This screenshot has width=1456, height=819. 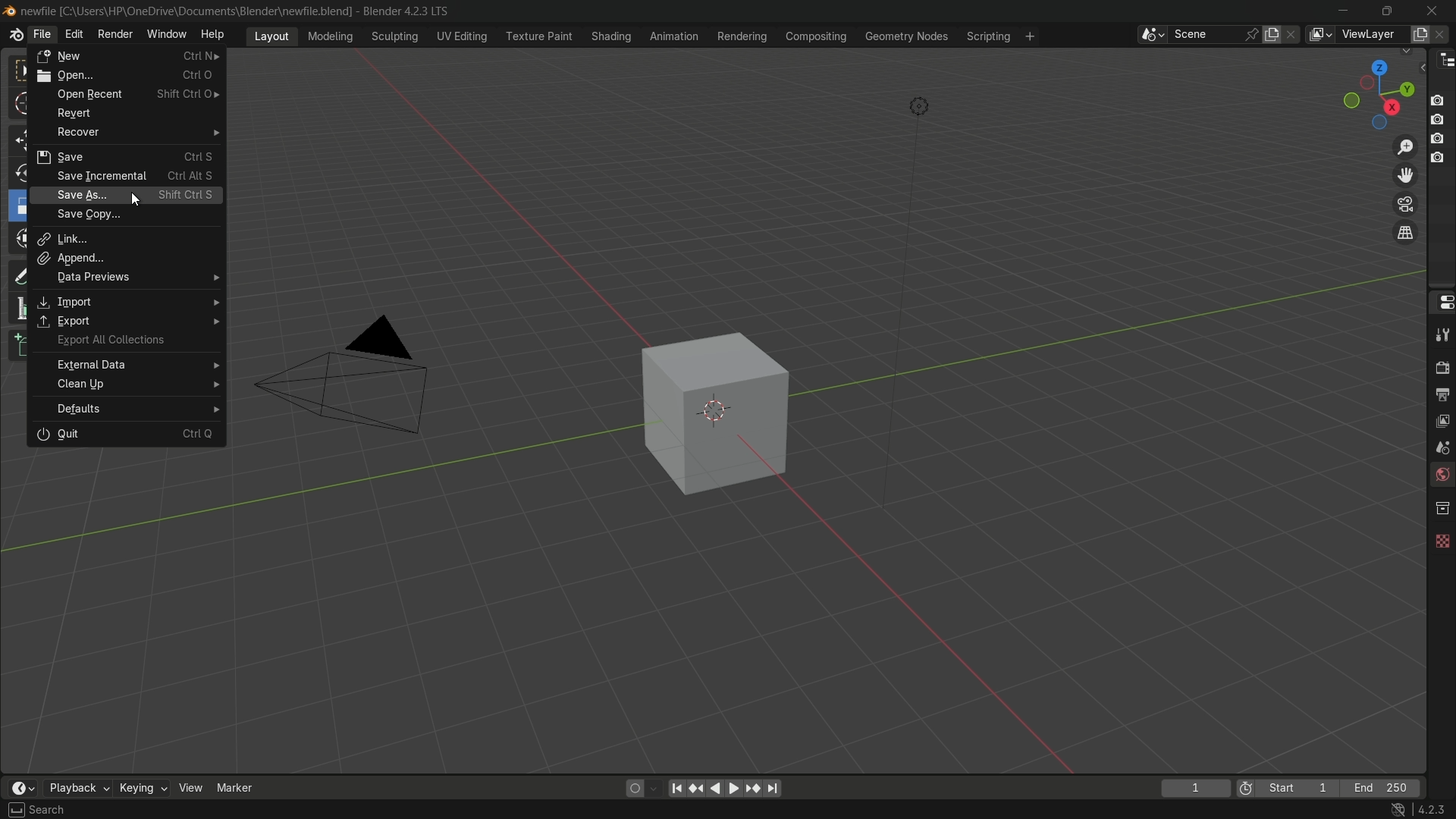 What do you see at coordinates (14, 172) in the screenshot?
I see `rotate` at bounding box center [14, 172].